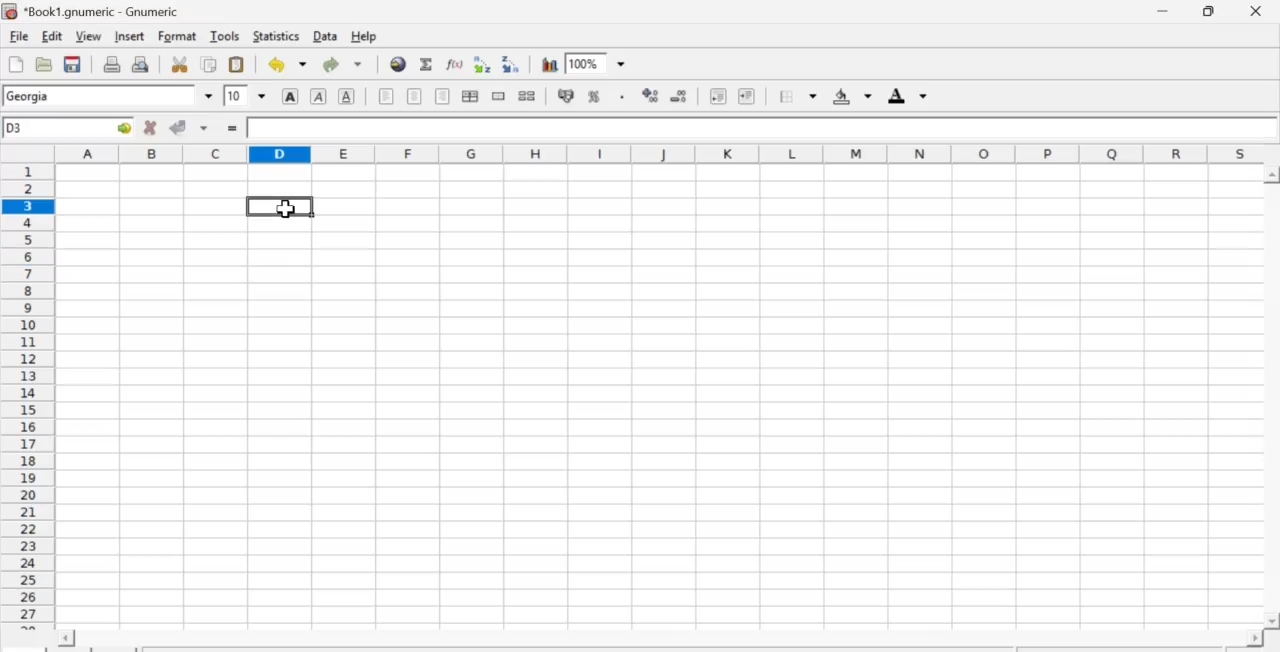  Describe the element at coordinates (13, 65) in the screenshot. I see `Create new workbook` at that location.